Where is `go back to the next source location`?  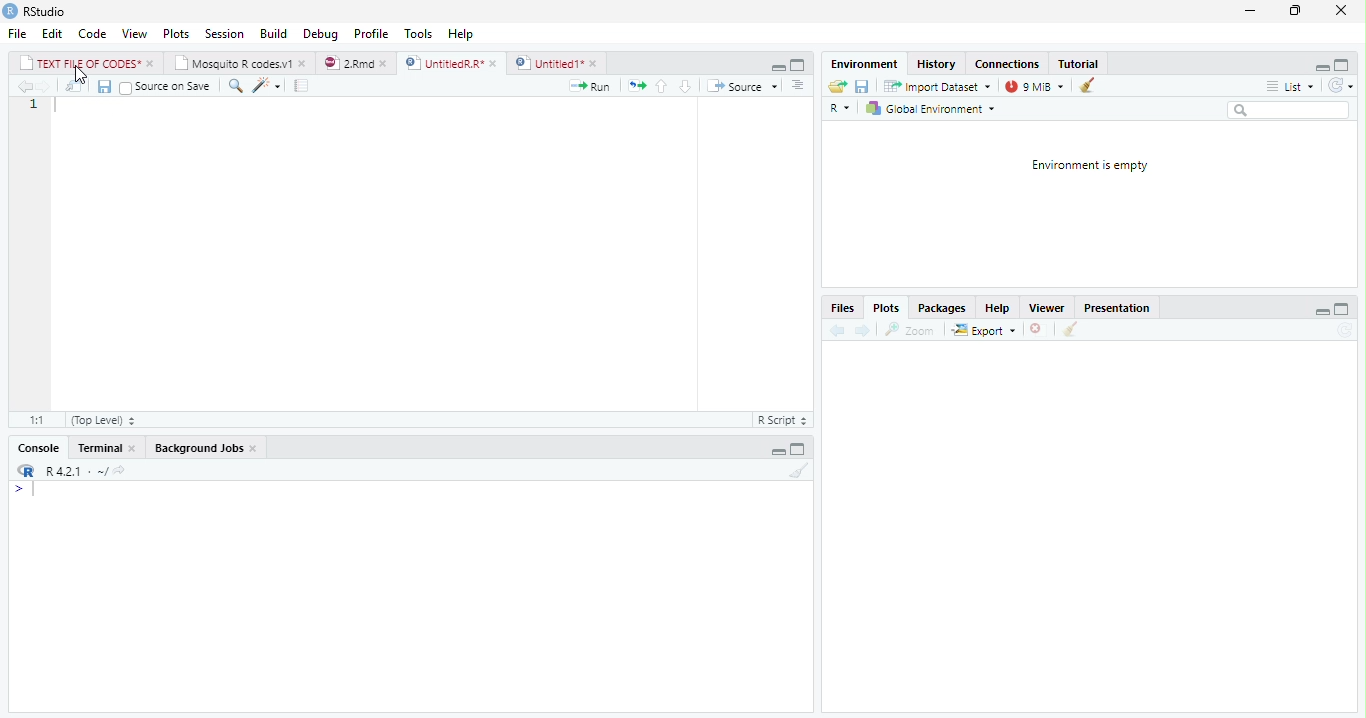 go back to the next source location is located at coordinates (50, 87).